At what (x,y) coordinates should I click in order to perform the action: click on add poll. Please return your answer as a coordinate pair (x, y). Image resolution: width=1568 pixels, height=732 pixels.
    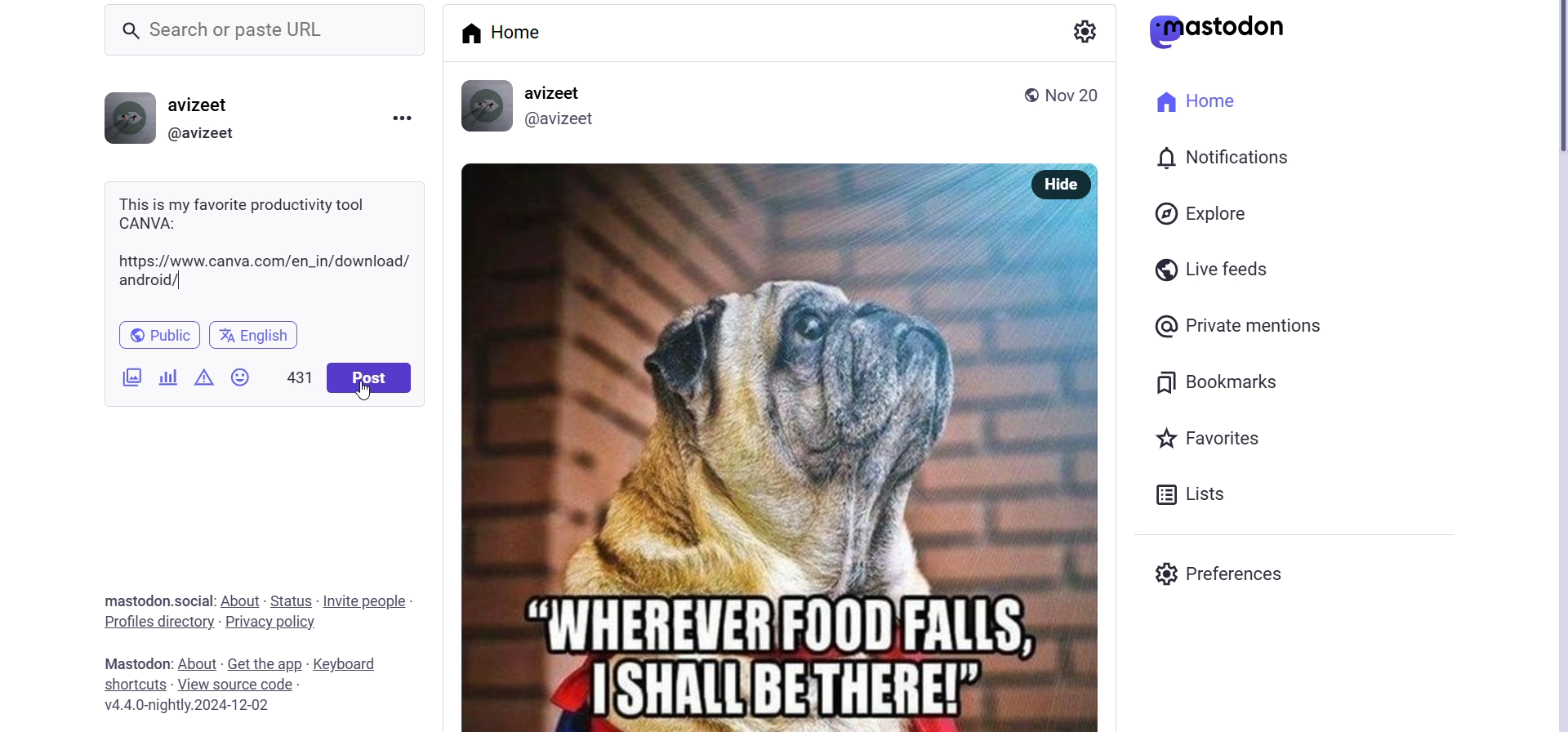
    Looking at the image, I should click on (167, 375).